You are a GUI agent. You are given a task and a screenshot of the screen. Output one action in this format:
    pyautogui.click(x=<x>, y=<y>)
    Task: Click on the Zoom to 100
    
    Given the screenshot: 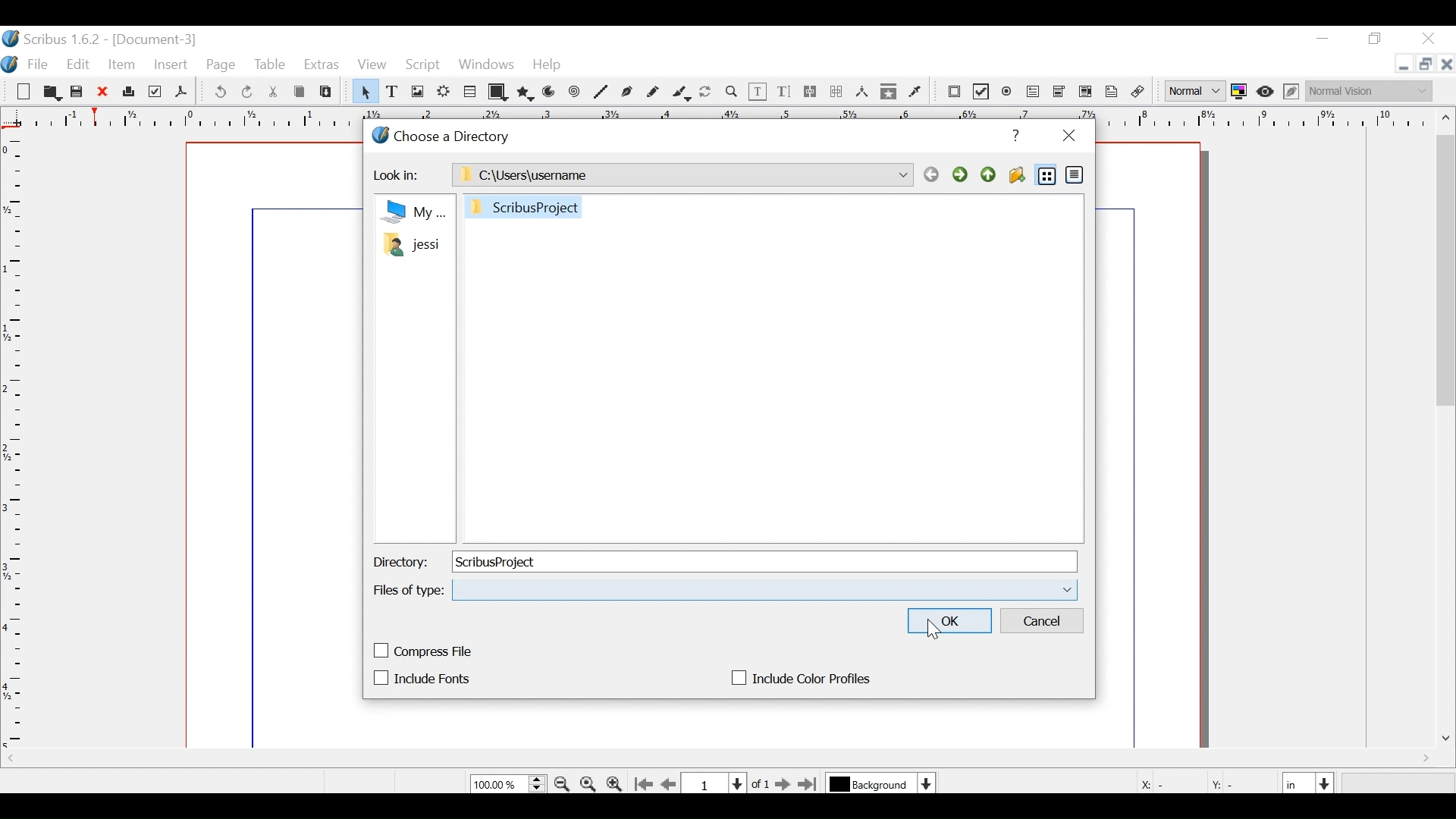 What is the action you would take?
    pyautogui.click(x=588, y=783)
    